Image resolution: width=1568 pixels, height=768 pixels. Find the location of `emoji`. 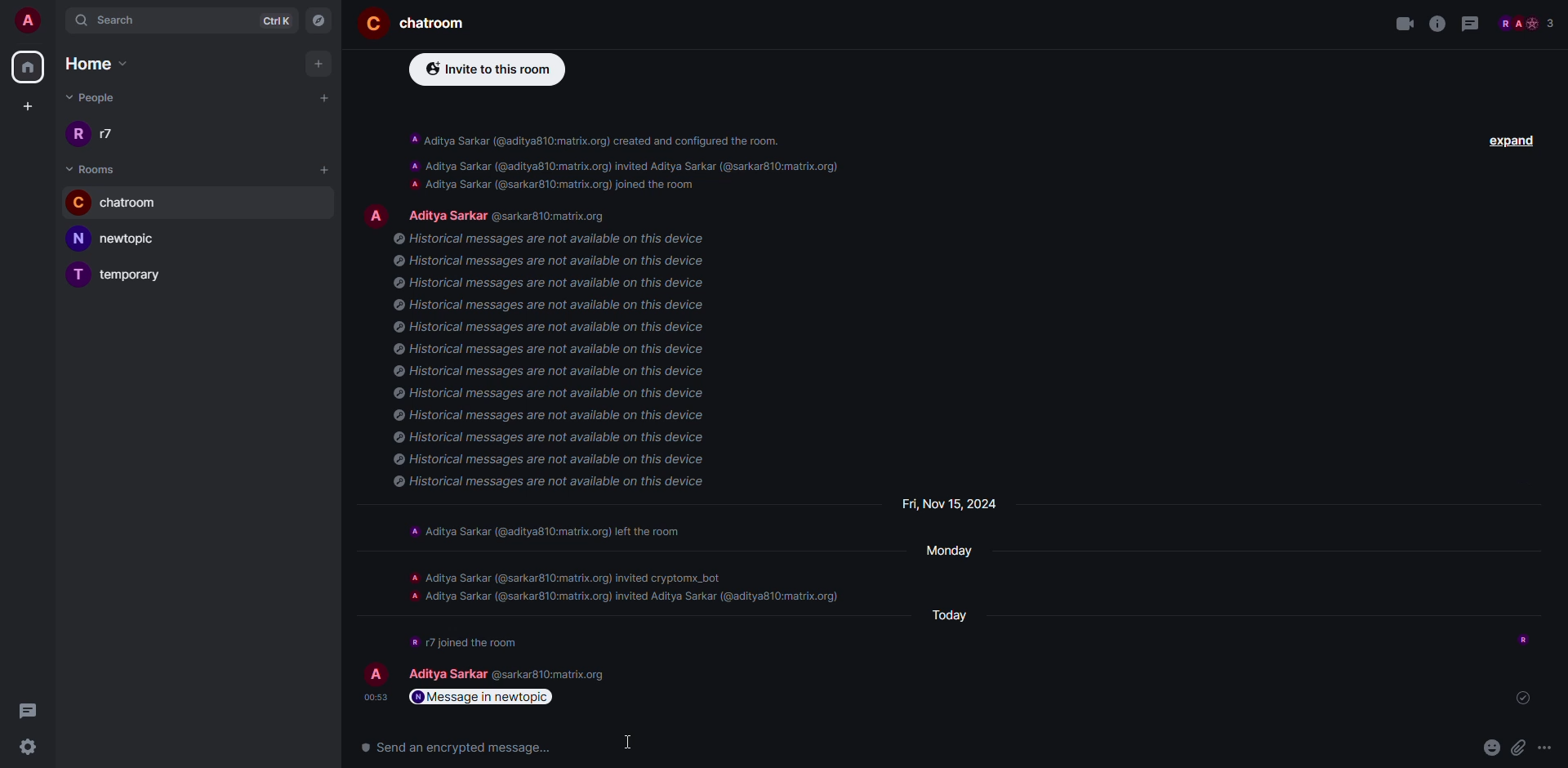

emoji is located at coordinates (1488, 747).